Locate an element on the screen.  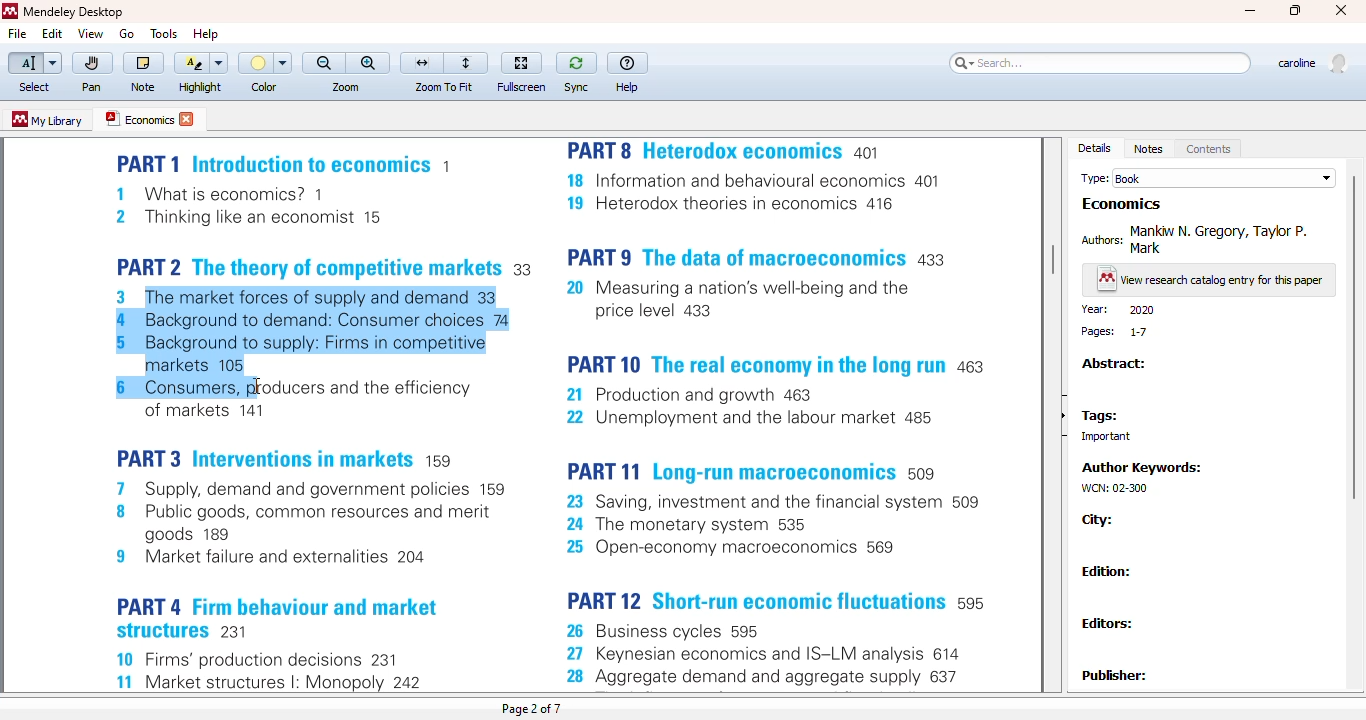
select is located at coordinates (34, 88).